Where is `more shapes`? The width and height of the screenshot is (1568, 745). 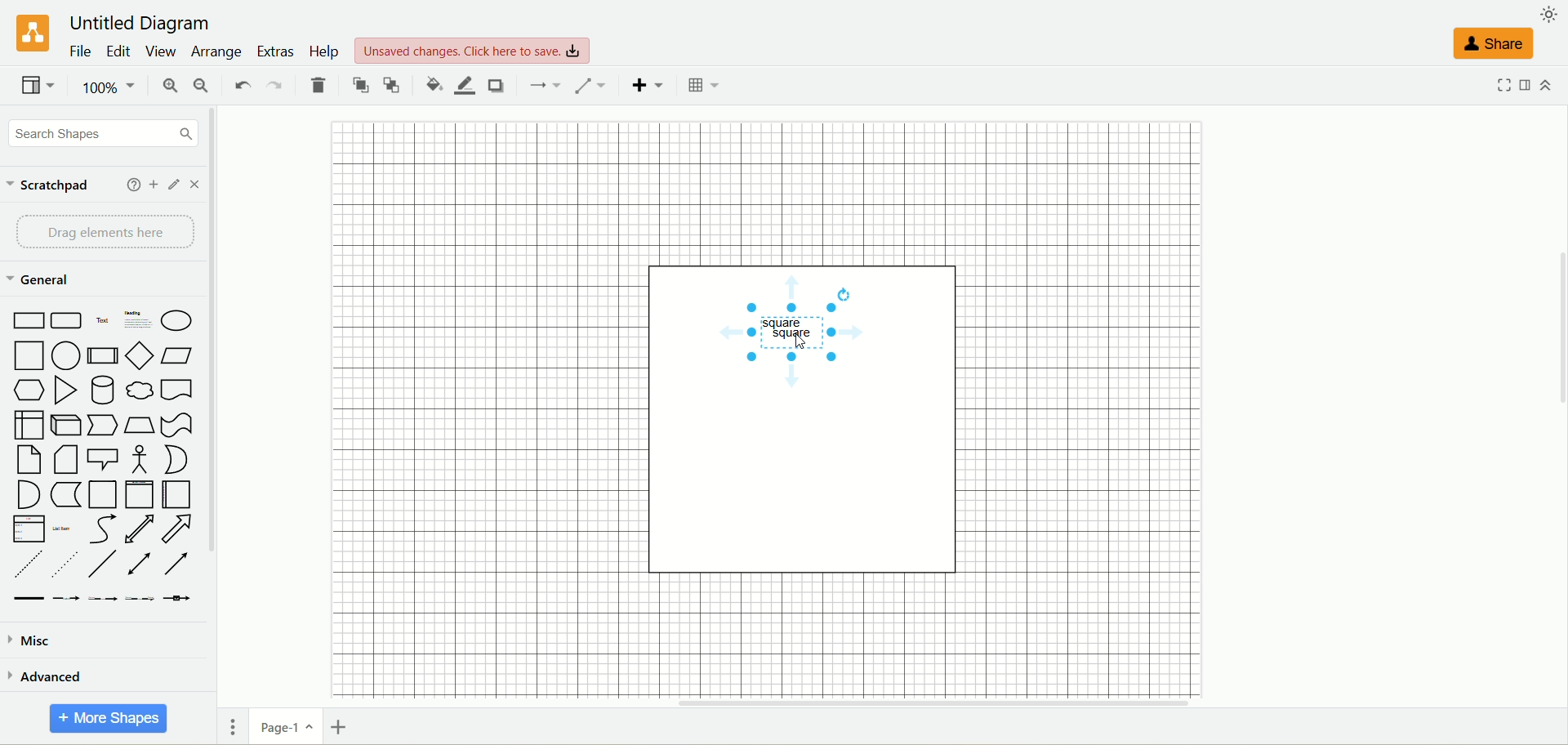 more shapes is located at coordinates (110, 720).